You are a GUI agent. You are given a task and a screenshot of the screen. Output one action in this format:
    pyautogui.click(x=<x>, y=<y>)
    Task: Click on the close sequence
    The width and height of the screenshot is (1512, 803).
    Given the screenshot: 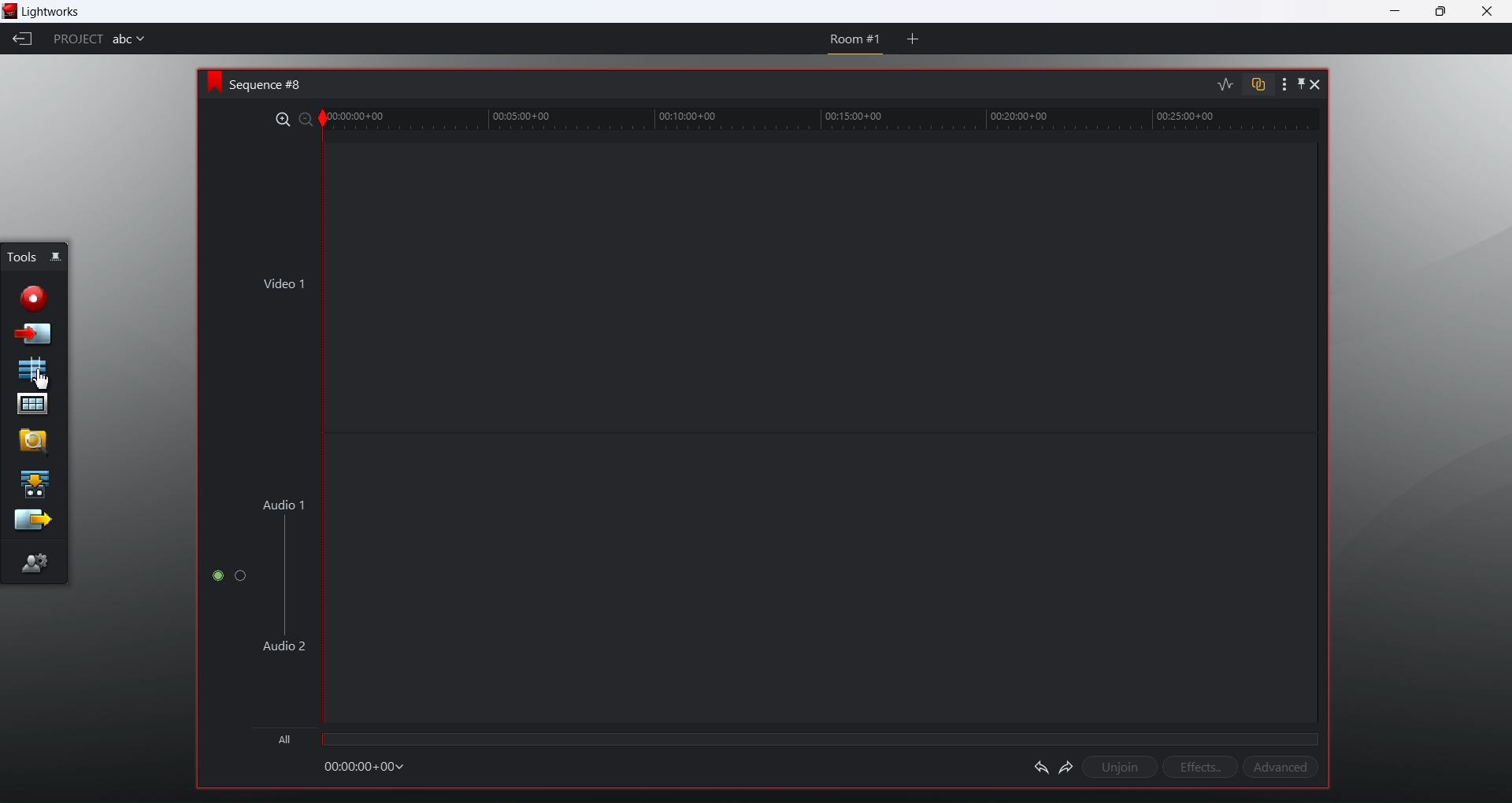 What is the action you would take?
    pyautogui.click(x=1317, y=86)
    